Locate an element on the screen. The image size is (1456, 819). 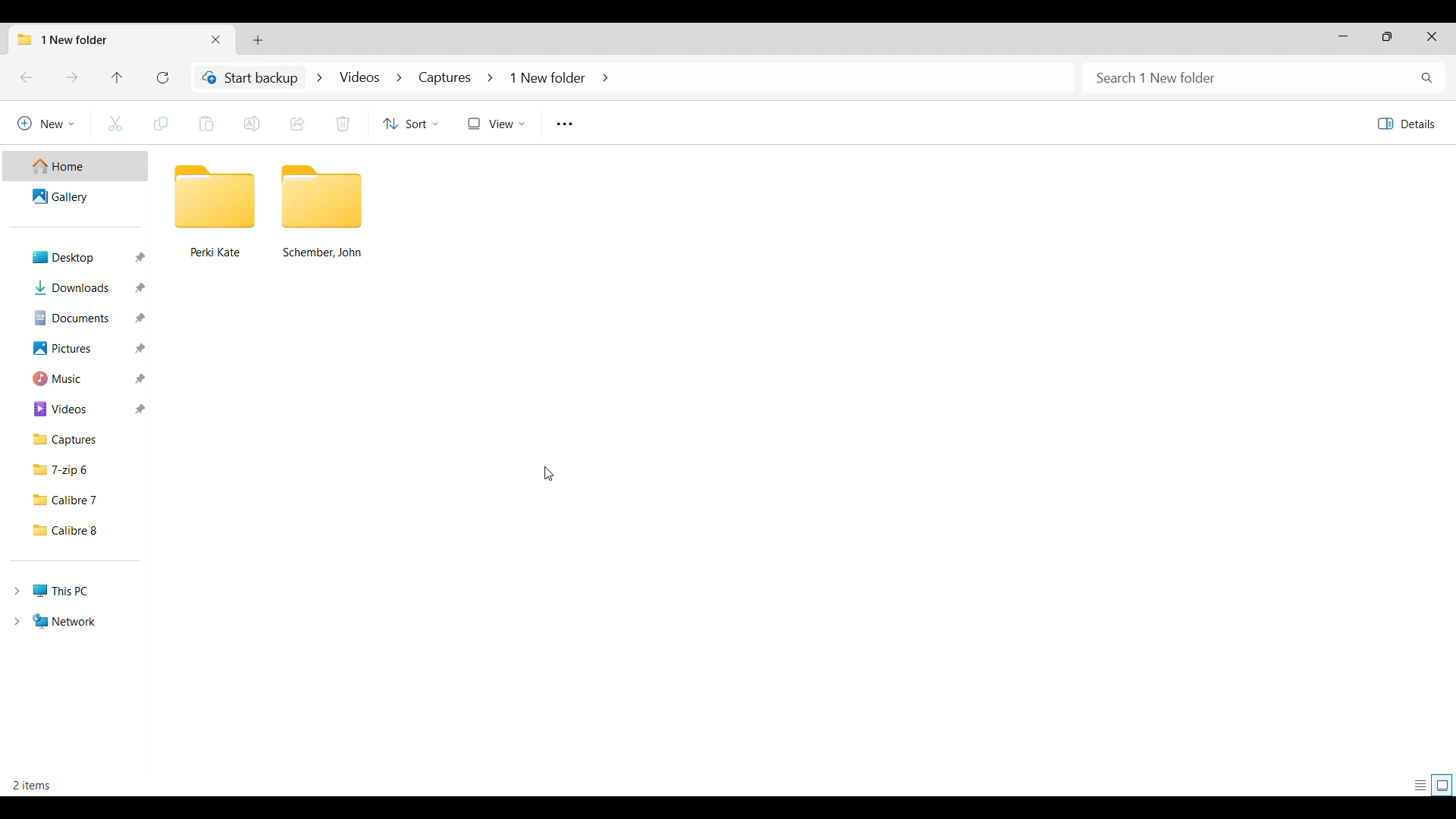
Show new window in a smaller tab is located at coordinates (1387, 37).